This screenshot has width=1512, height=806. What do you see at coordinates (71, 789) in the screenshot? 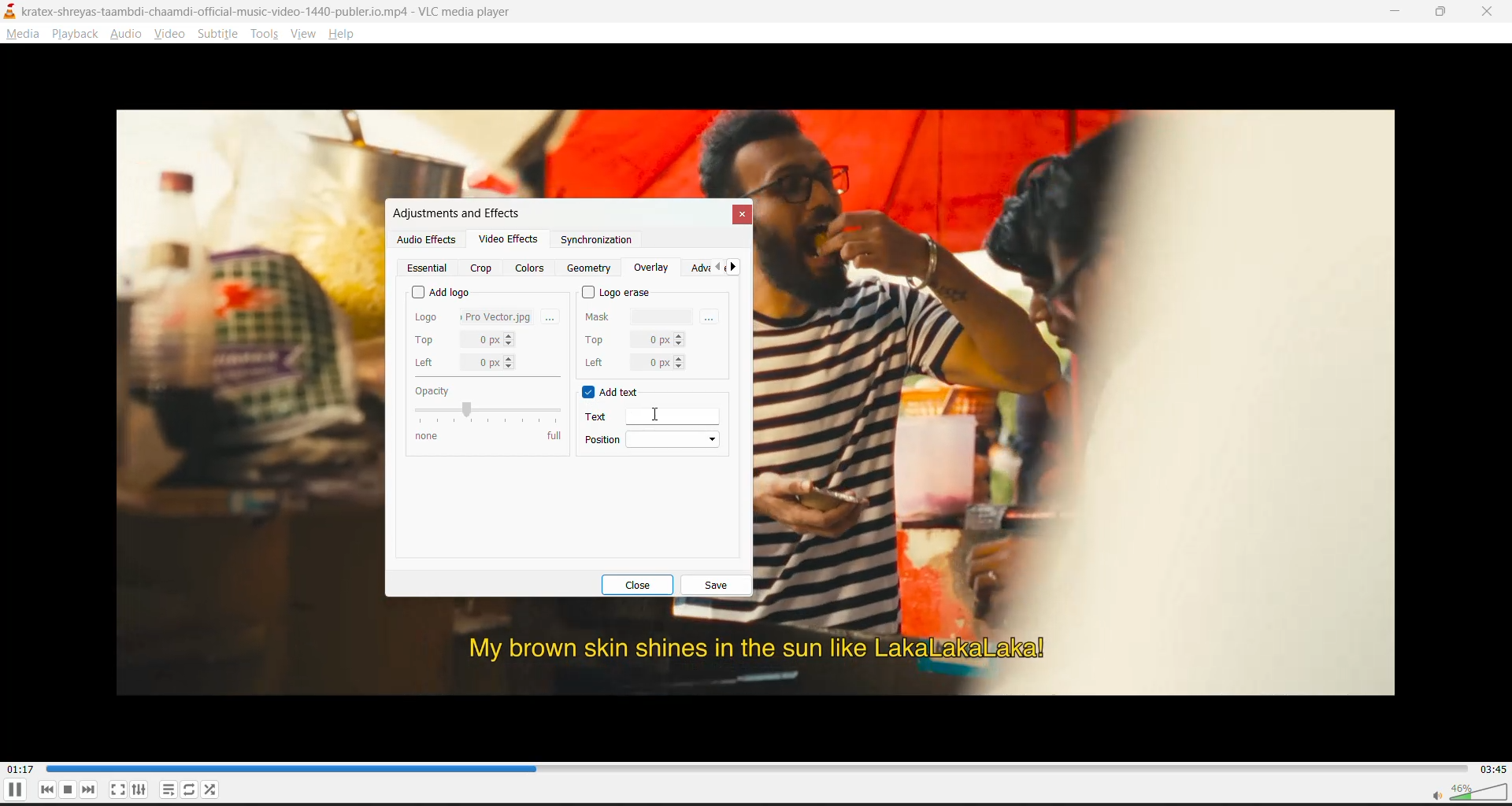
I see `stop` at bounding box center [71, 789].